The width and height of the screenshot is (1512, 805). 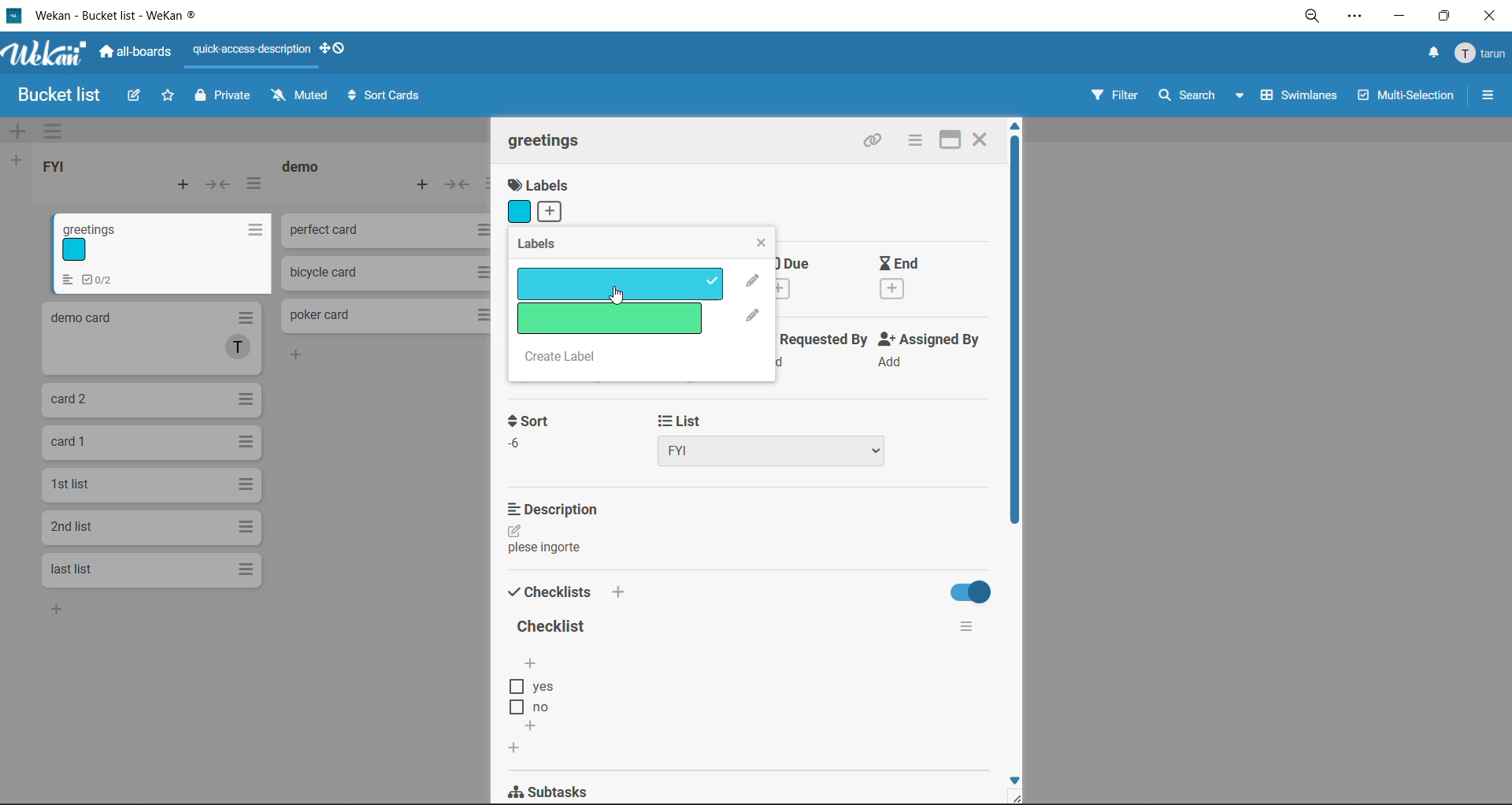 What do you see at coordinates (618, 286) in the screenshot?
I see `selected label` at bounding box center [618, 286].